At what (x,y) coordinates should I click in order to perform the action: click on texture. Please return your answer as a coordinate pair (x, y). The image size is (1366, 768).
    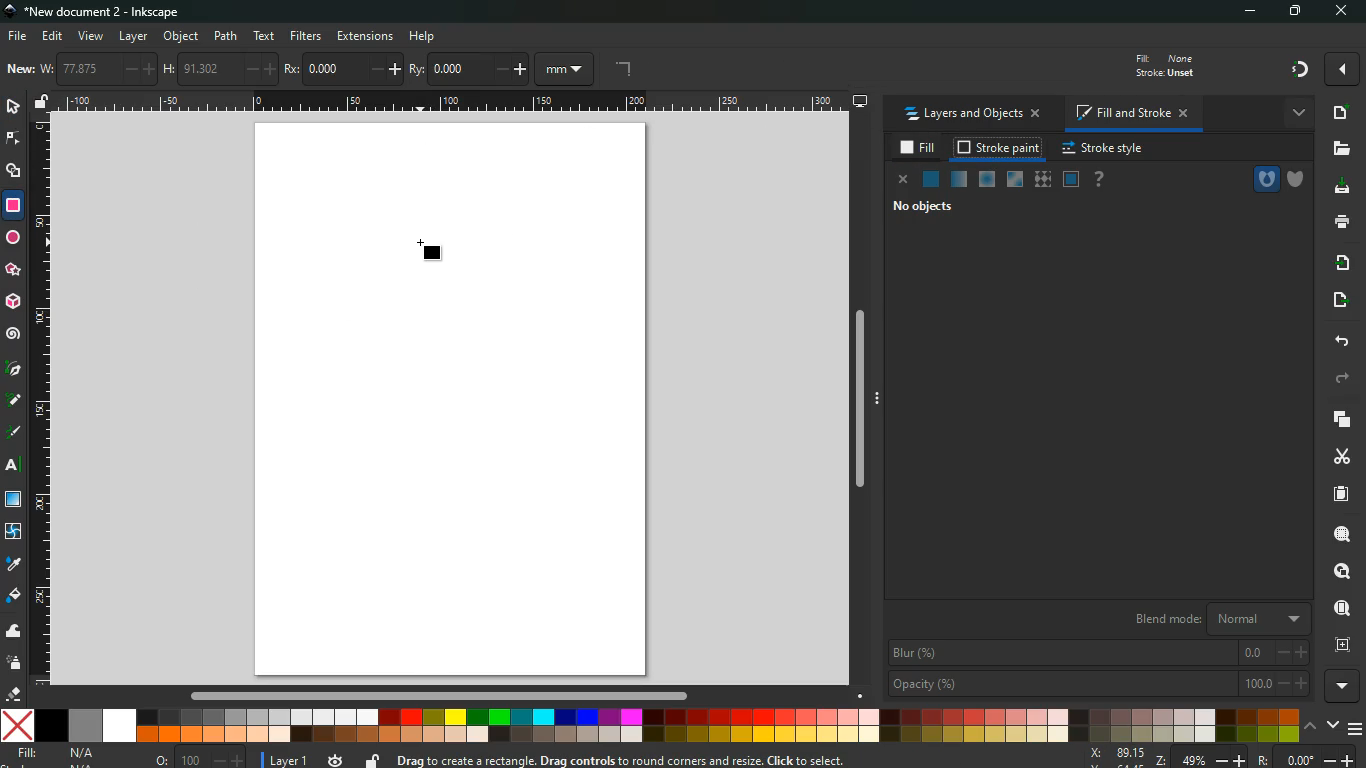
    Looking at the image, I should click on (1042, 180).